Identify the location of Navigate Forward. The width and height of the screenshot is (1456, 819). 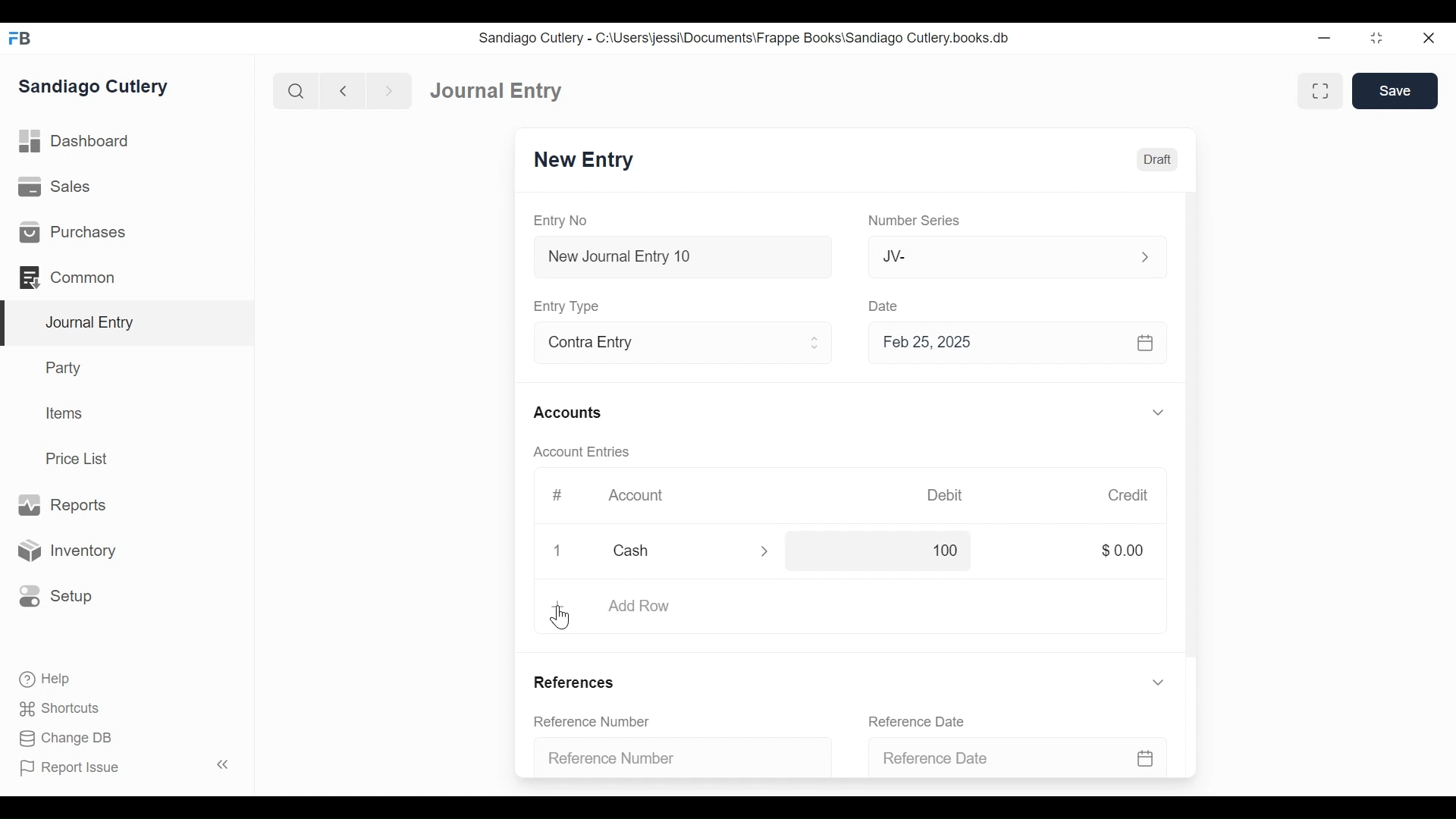
(390, 89).